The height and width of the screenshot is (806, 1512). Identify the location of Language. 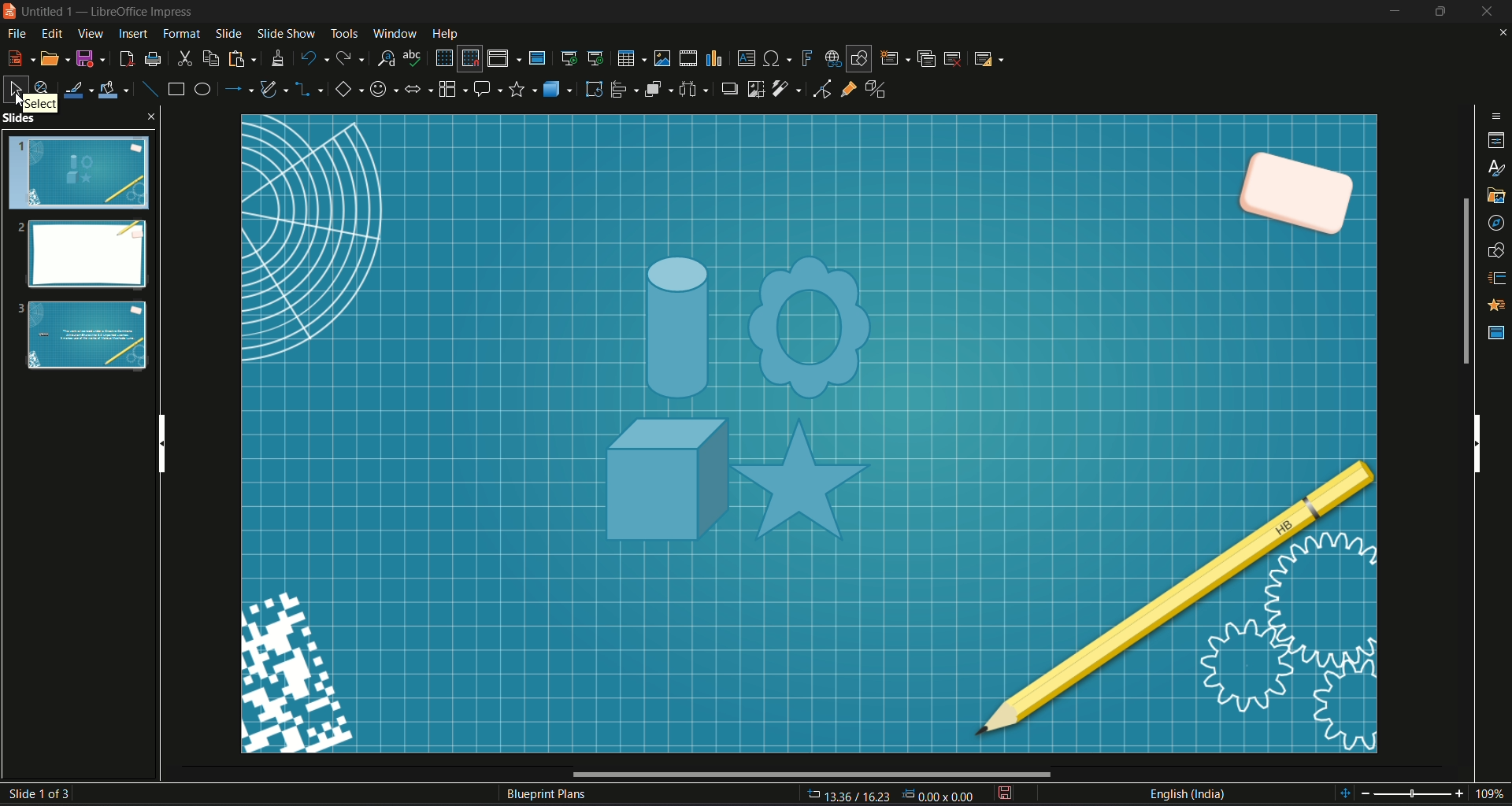
(1187, 794).